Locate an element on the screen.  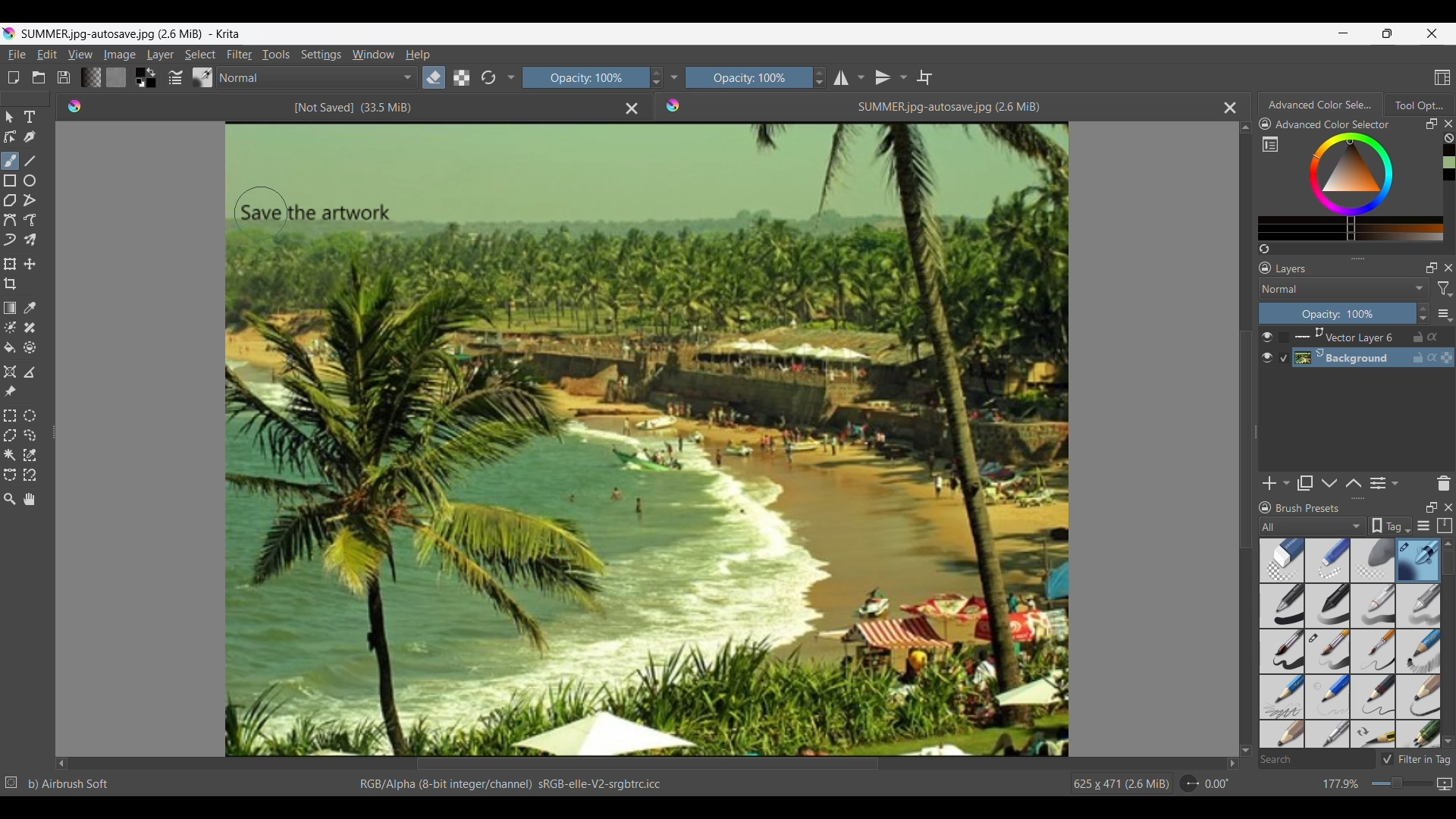
Show/Hide tools is located at coordinates (674, 77).